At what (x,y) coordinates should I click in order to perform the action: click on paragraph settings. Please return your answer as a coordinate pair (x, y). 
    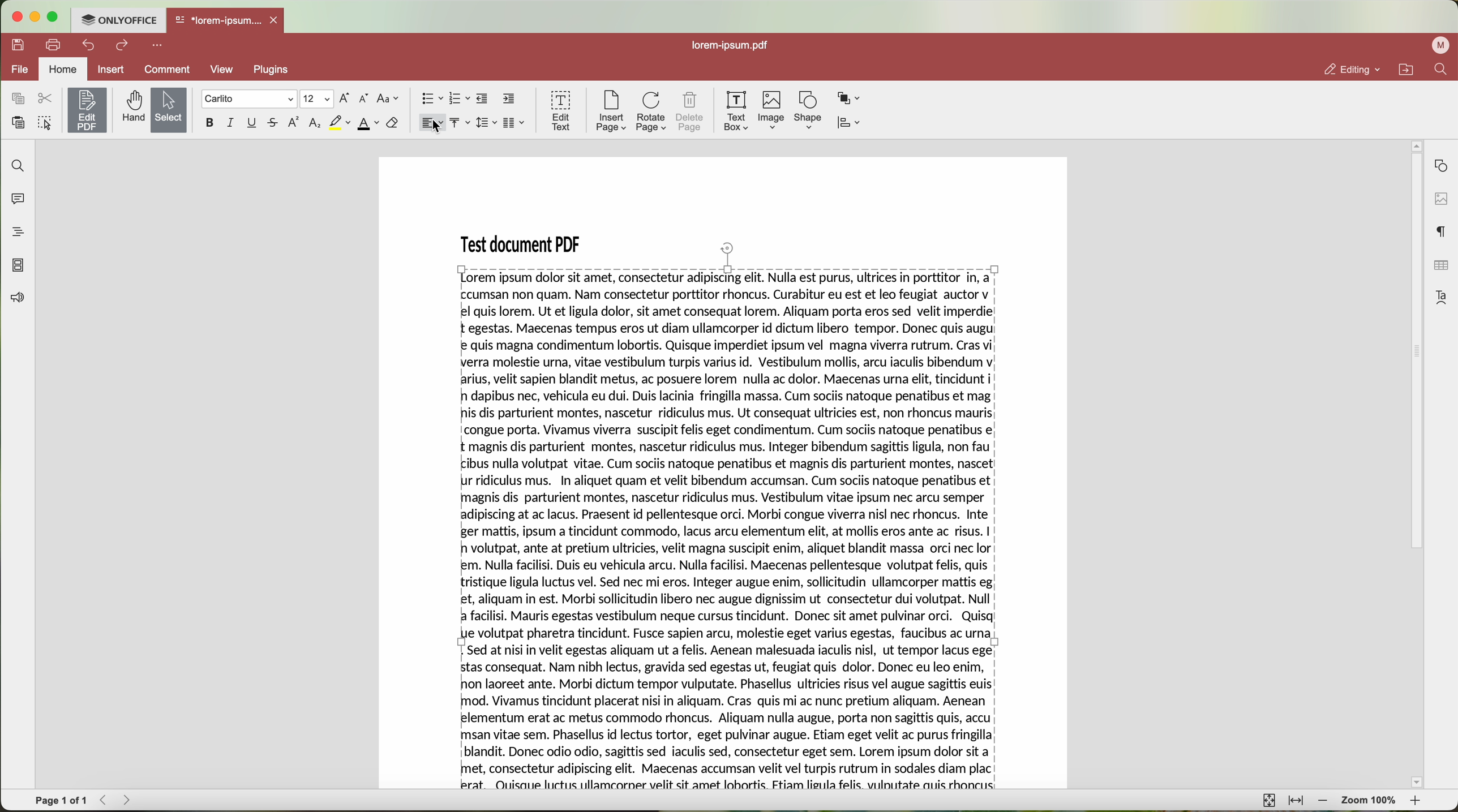
    Looking at the image, I should click on (1442, 231).